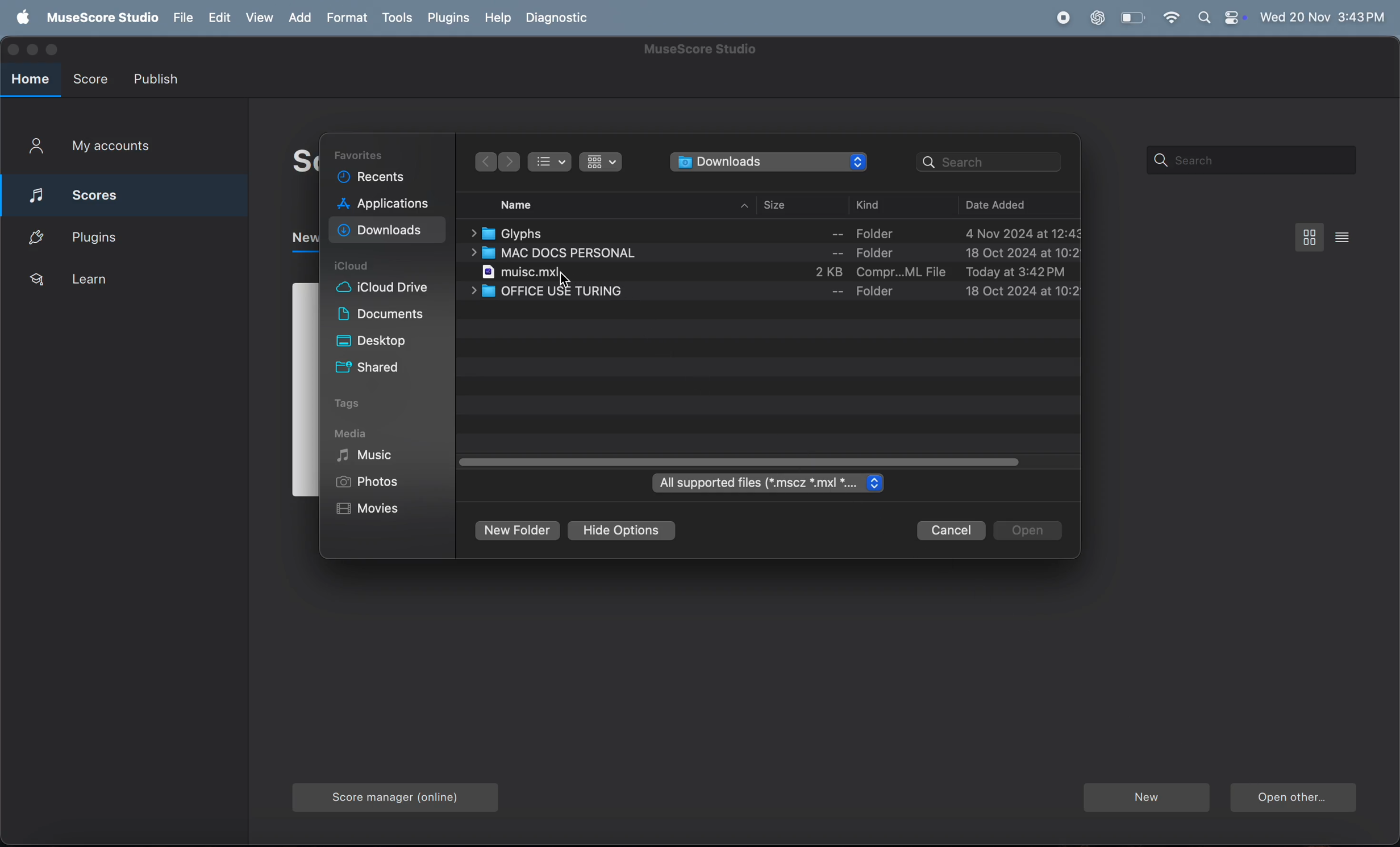 This screenshot has height=847, width=1400. Describe the element at coordinates (746, 462) in the screenshot. I see `toggle` at that location.